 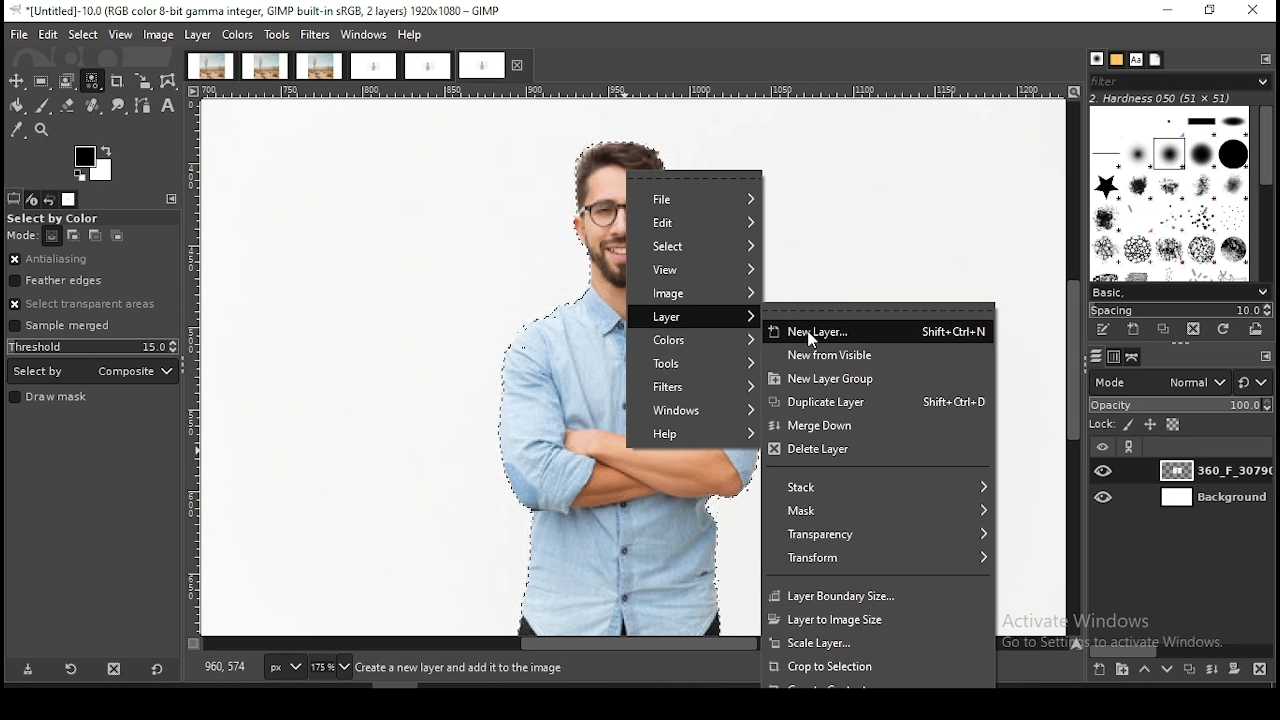 What do you see at coordinates (364, 35) in the screenshot?
I see `windows` at bounding box center [364, 35].